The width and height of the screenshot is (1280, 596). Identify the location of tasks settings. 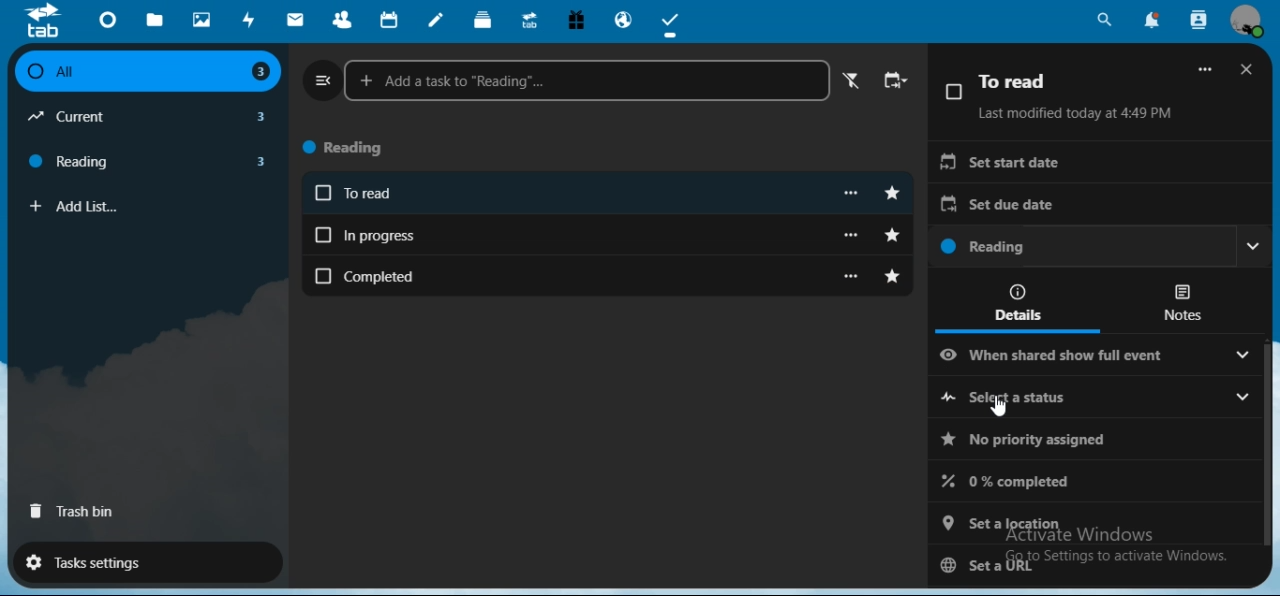
(146, 564).